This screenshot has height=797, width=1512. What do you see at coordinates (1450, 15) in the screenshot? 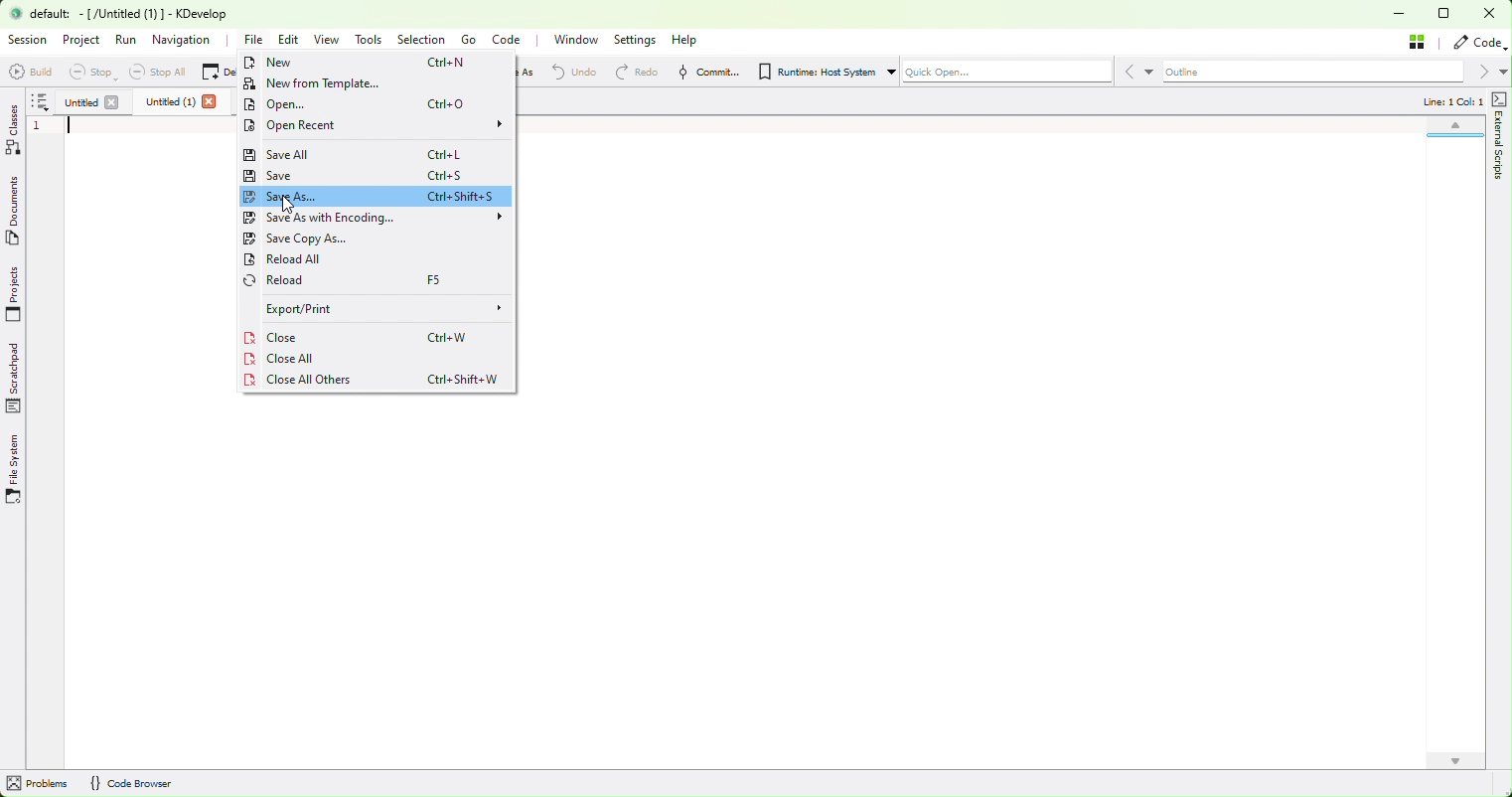
I see `restore` at bounding box center [1450, 15].